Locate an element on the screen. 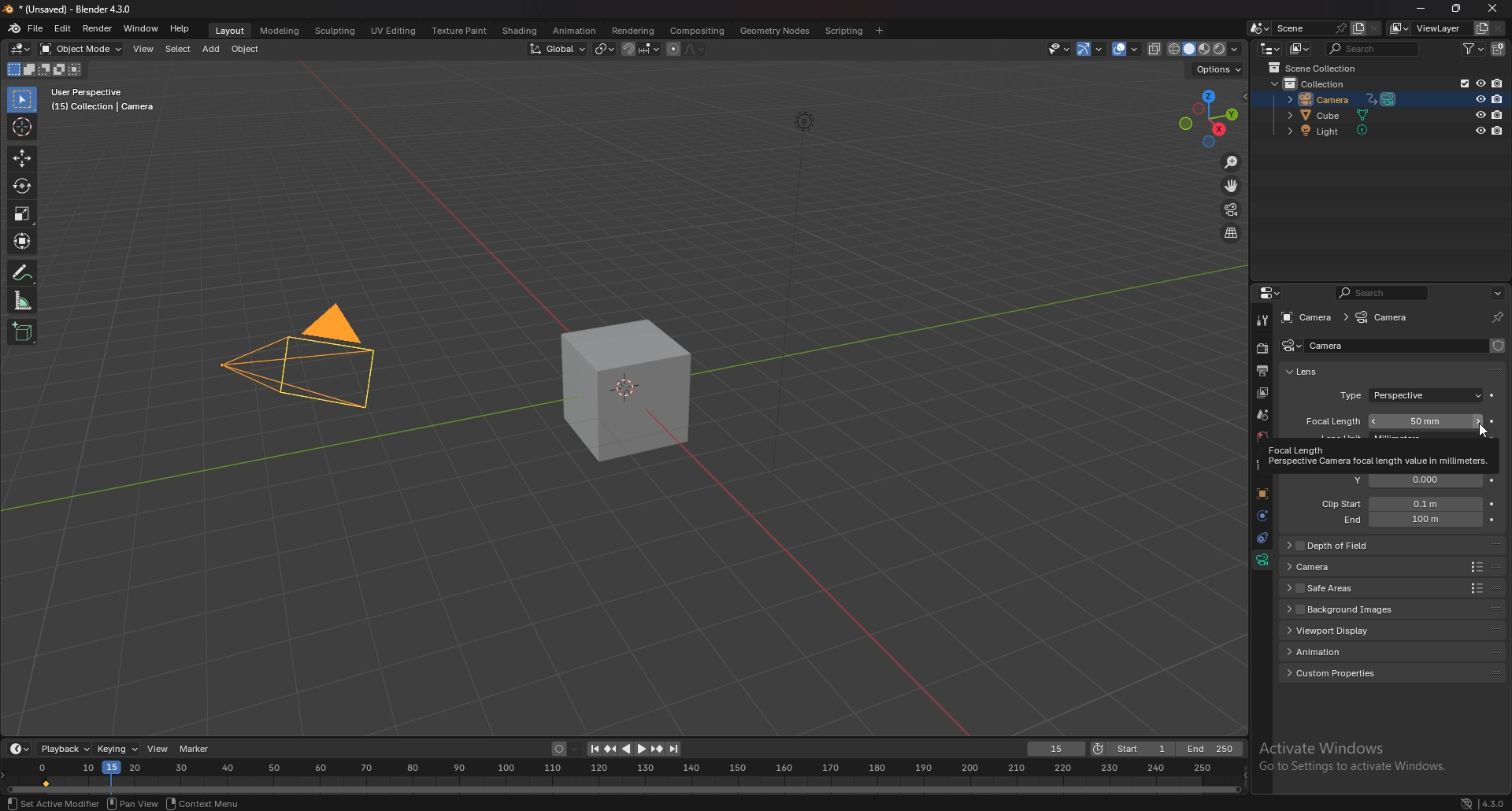 The width and height of the screenshot is (1512, 811). output is located at coordinates (1263, 370).